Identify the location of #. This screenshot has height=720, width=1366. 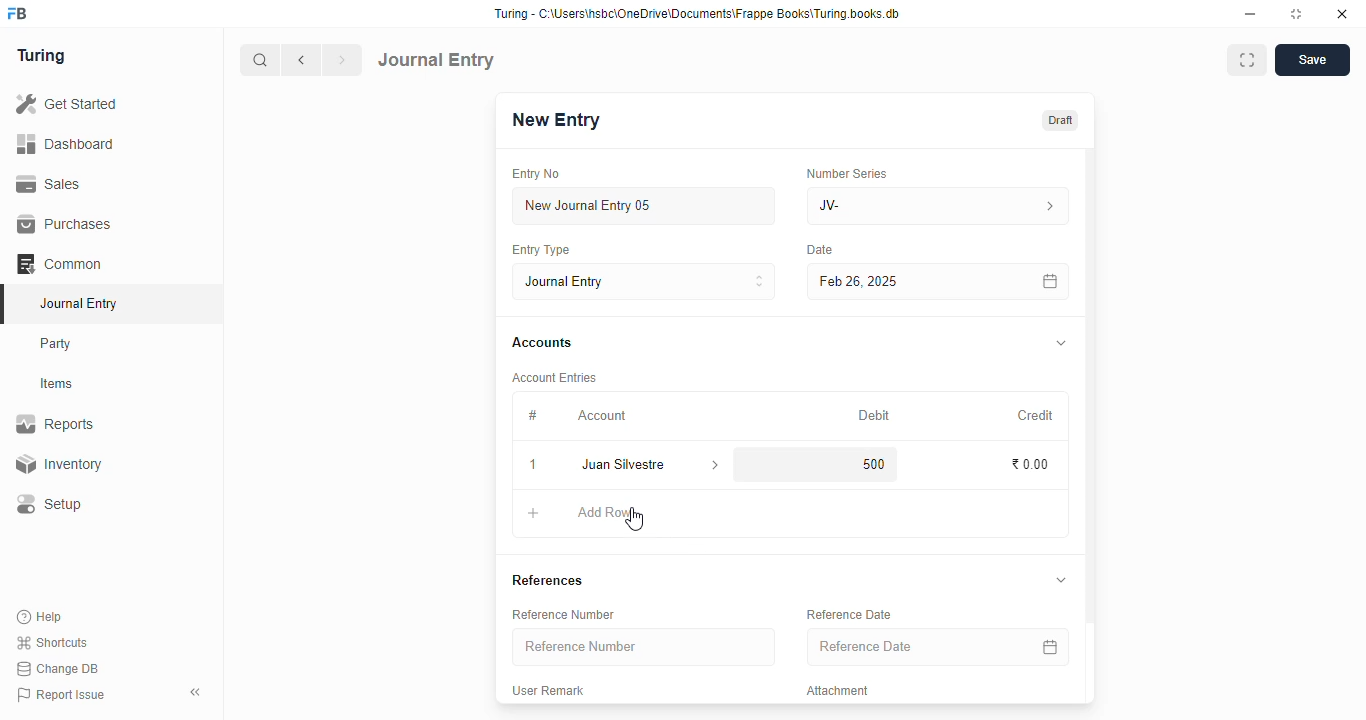
(533, 415).